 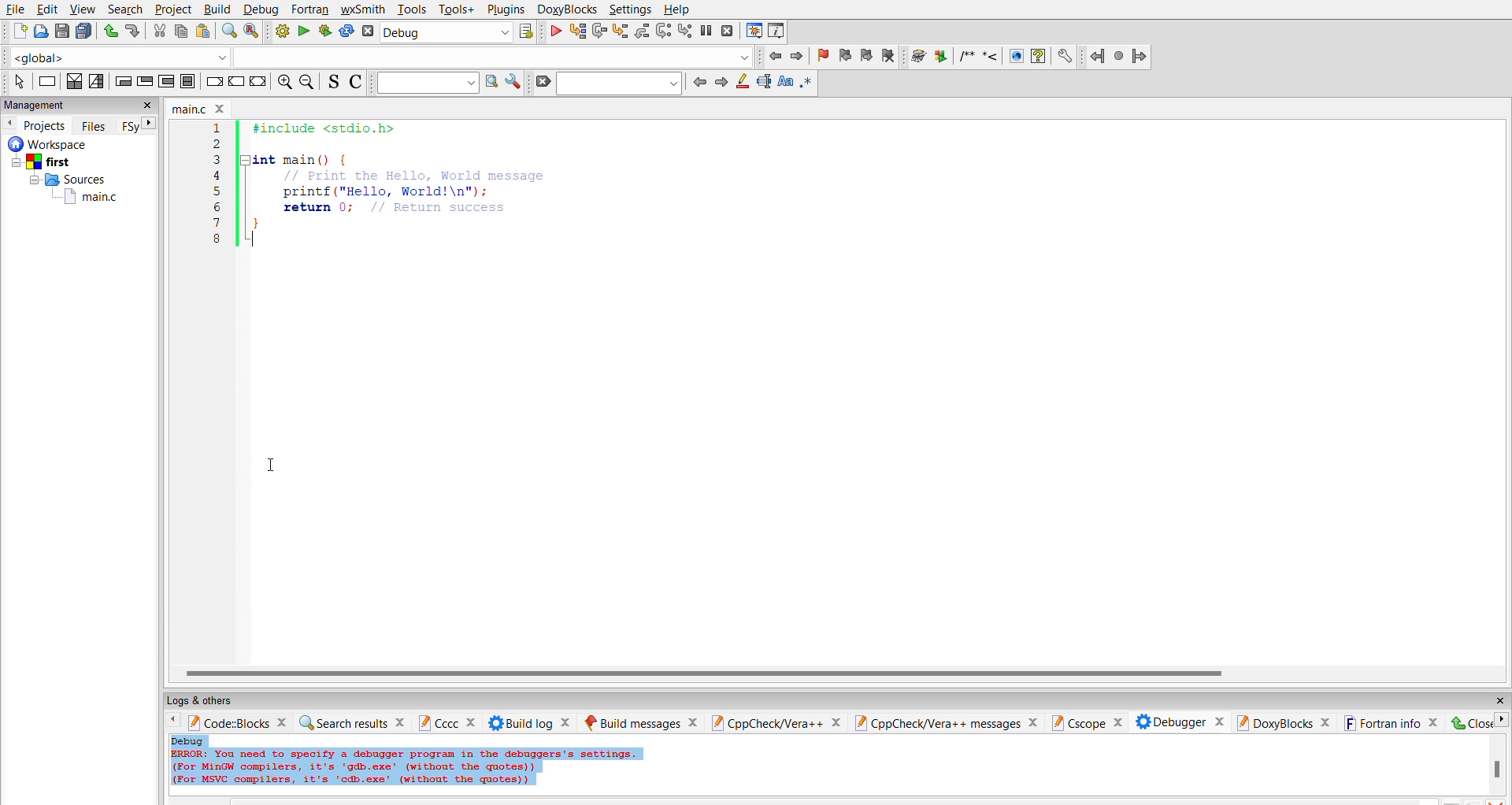 What do you see at coordinates (49, 82) in the screenshot?
I see `instruction` at bounding box center [49, 82].